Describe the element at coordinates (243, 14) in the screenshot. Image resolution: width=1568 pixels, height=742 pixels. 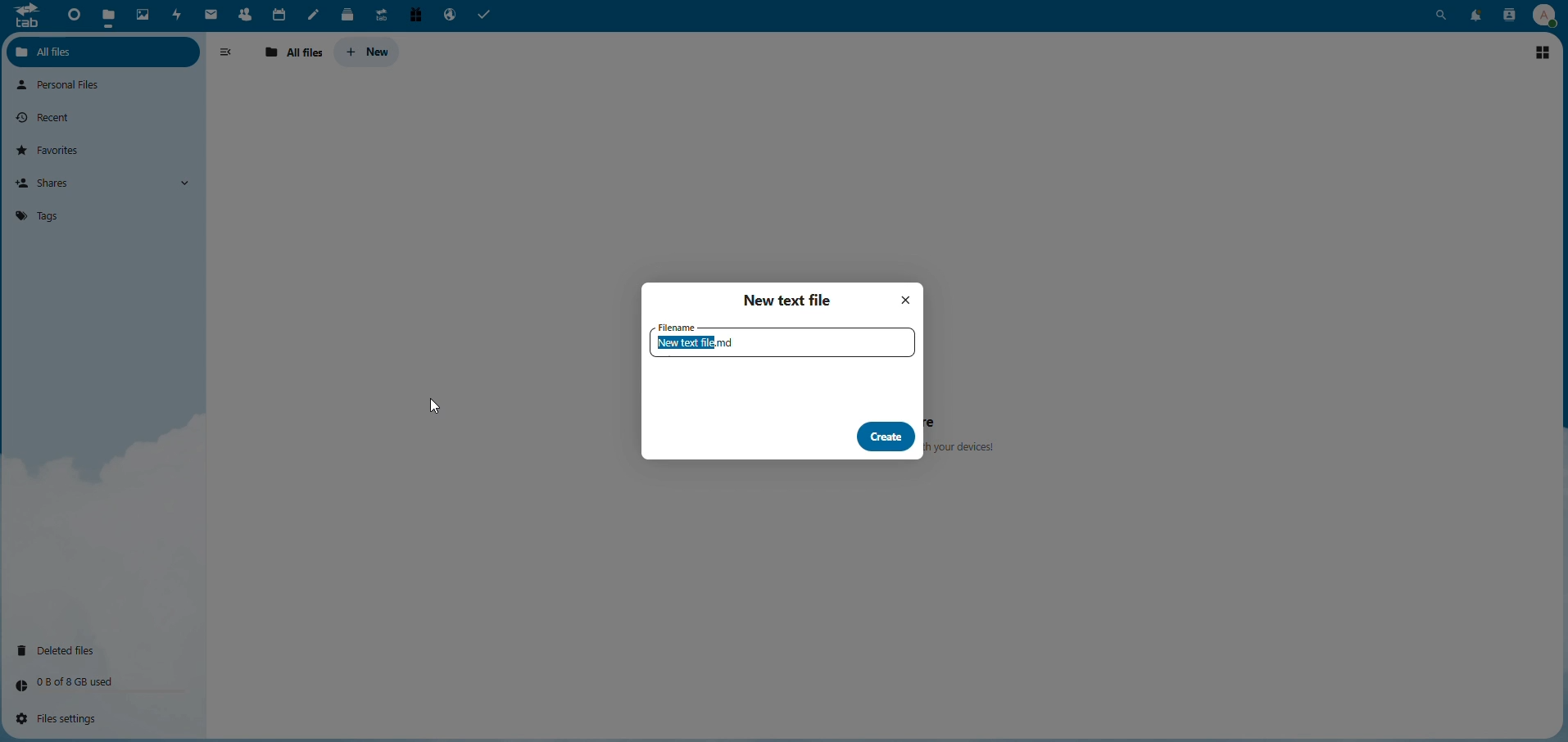
I see `Contacts` at that location.